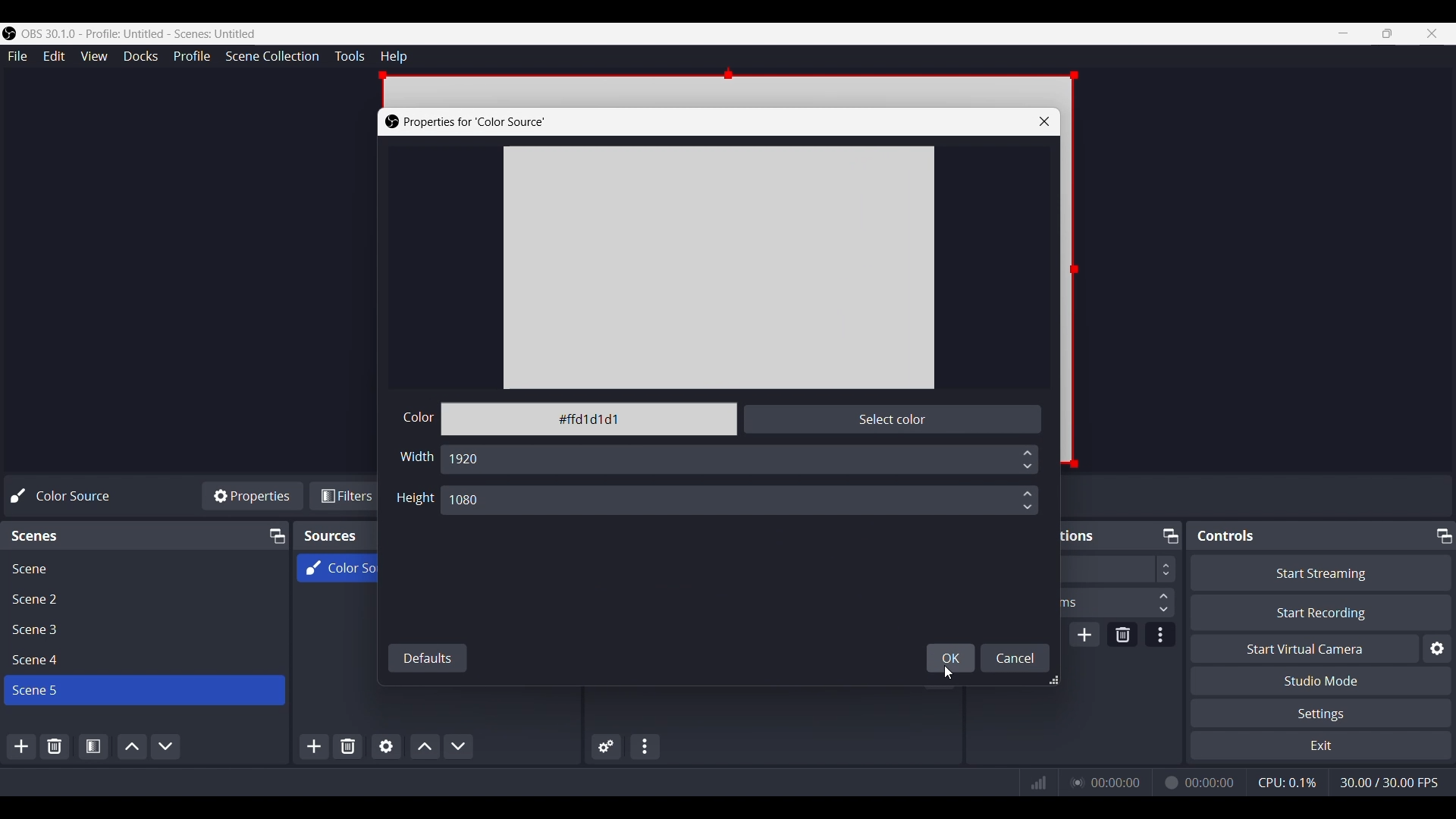 The width and height of the screenshot is (1456, 819). I want to click on Settings, so click(1321, 714).